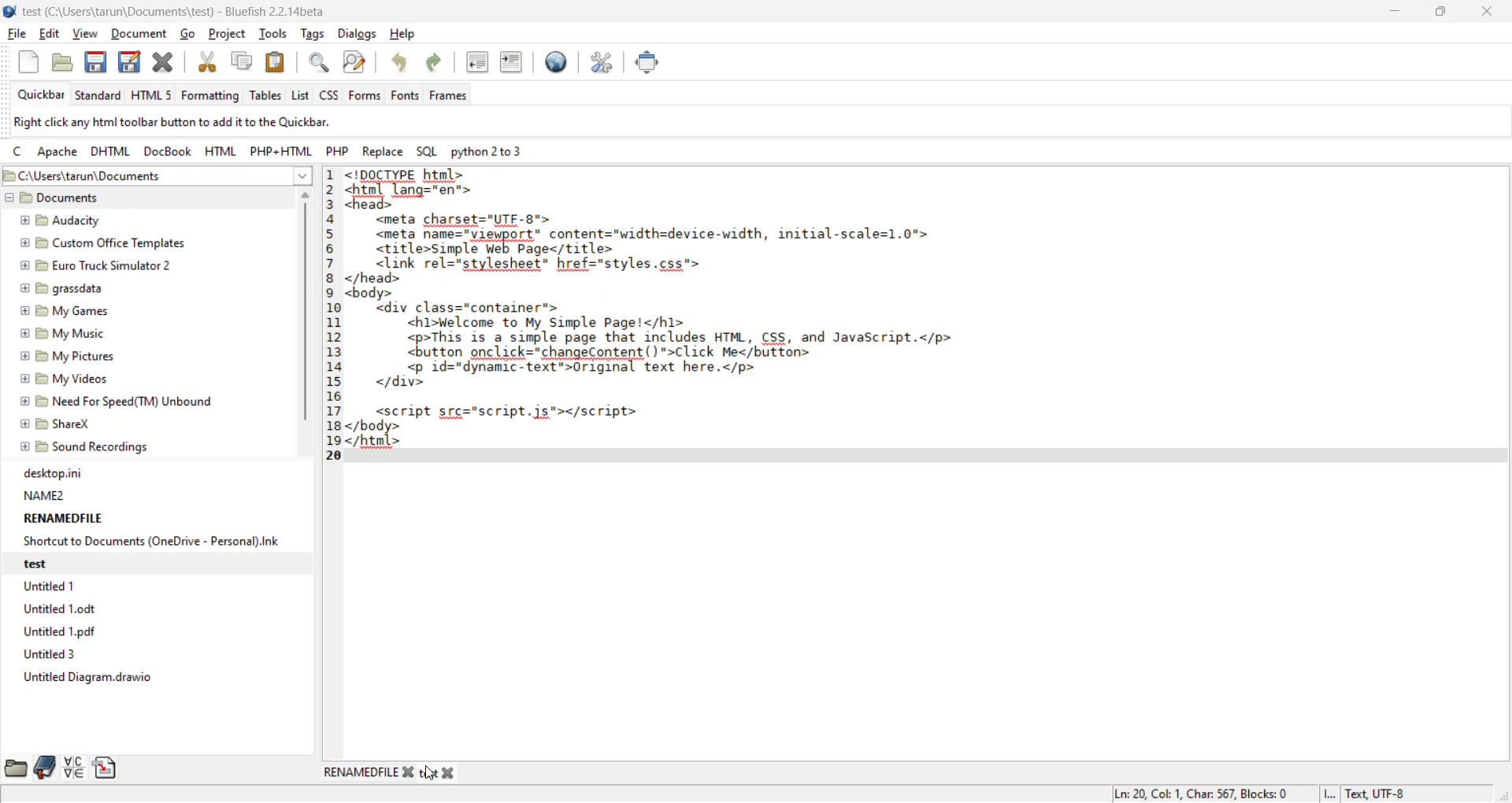 Image resolution: width=1512 pixels, height=803 pixels. I want to click on c, so click(19, 153).